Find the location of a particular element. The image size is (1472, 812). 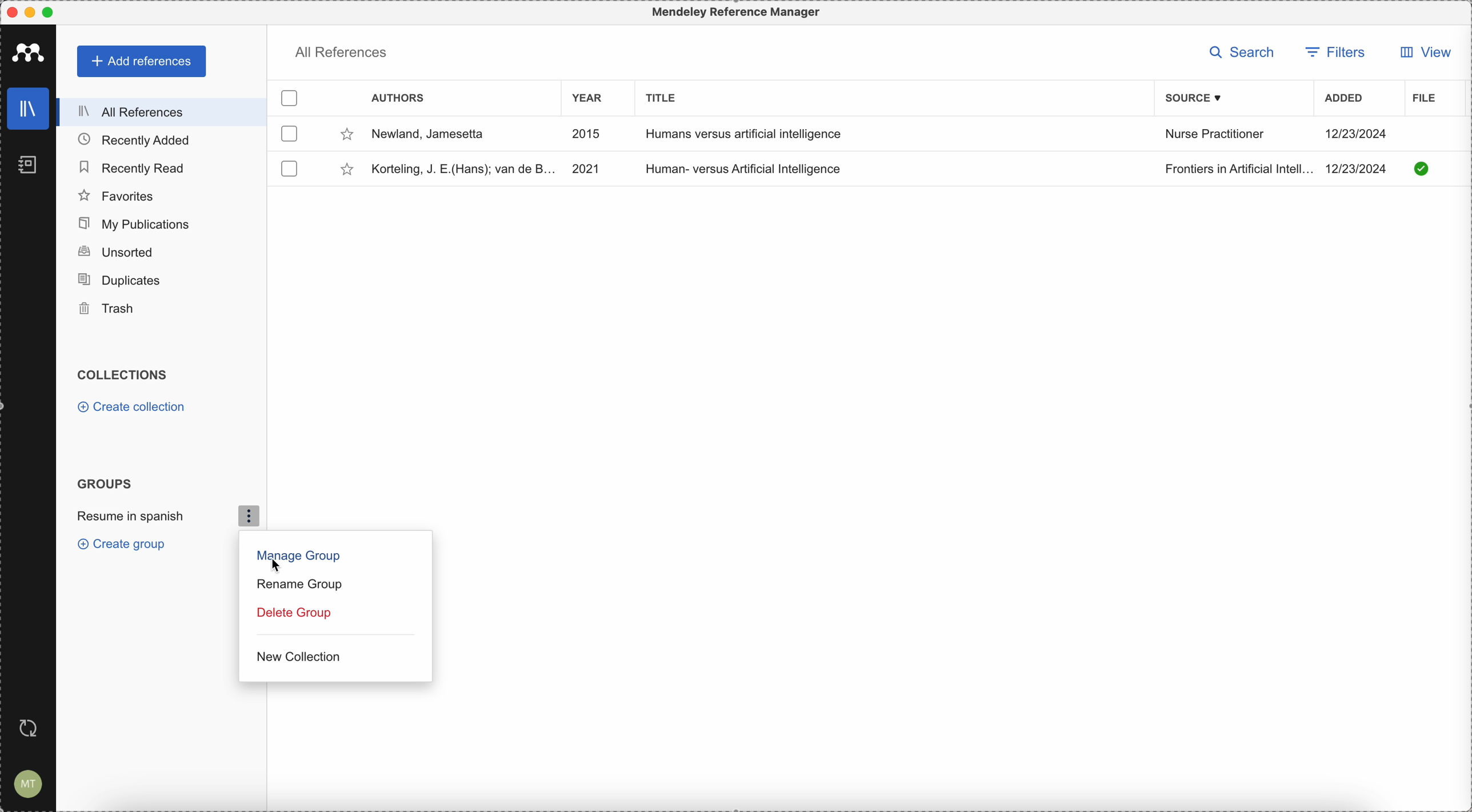

recently read is located at coordinates (135, 167).